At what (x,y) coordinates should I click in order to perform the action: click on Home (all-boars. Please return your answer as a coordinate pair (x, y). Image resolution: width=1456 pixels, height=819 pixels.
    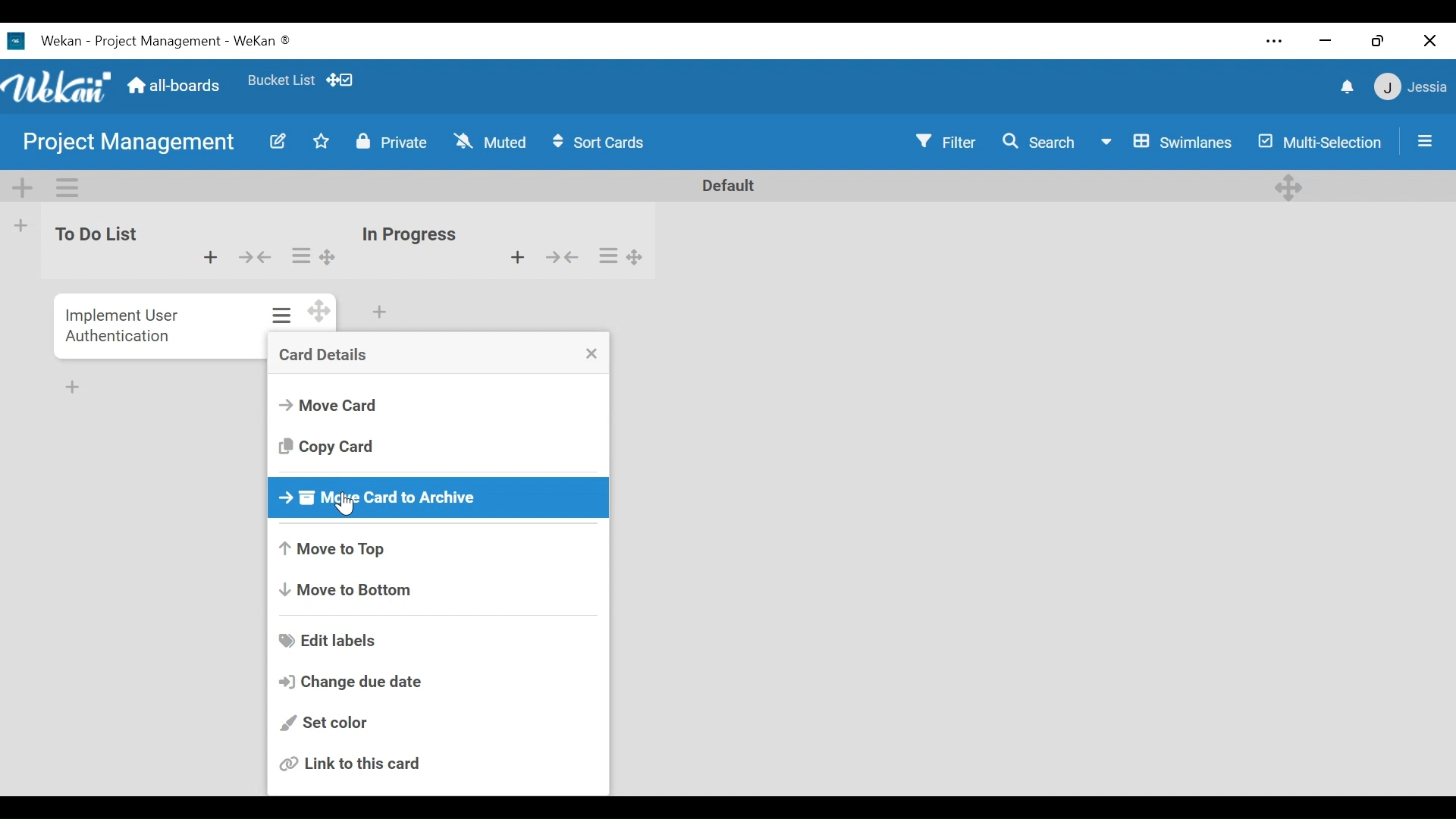
    Looking at the image, I should click on (177, 86).